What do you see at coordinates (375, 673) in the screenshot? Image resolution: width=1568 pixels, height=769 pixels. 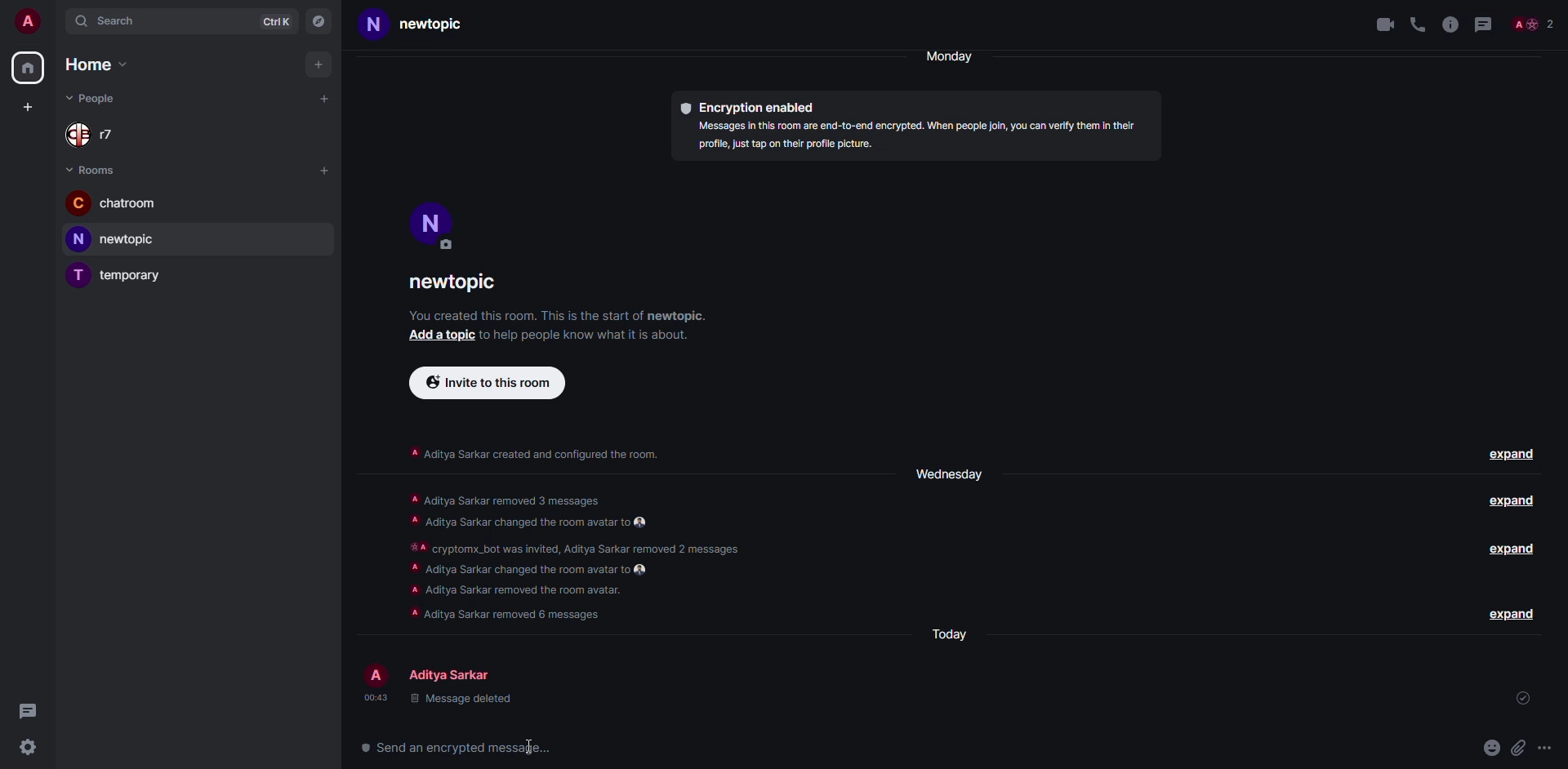 I see `profile` at bounding box center [375, 673].